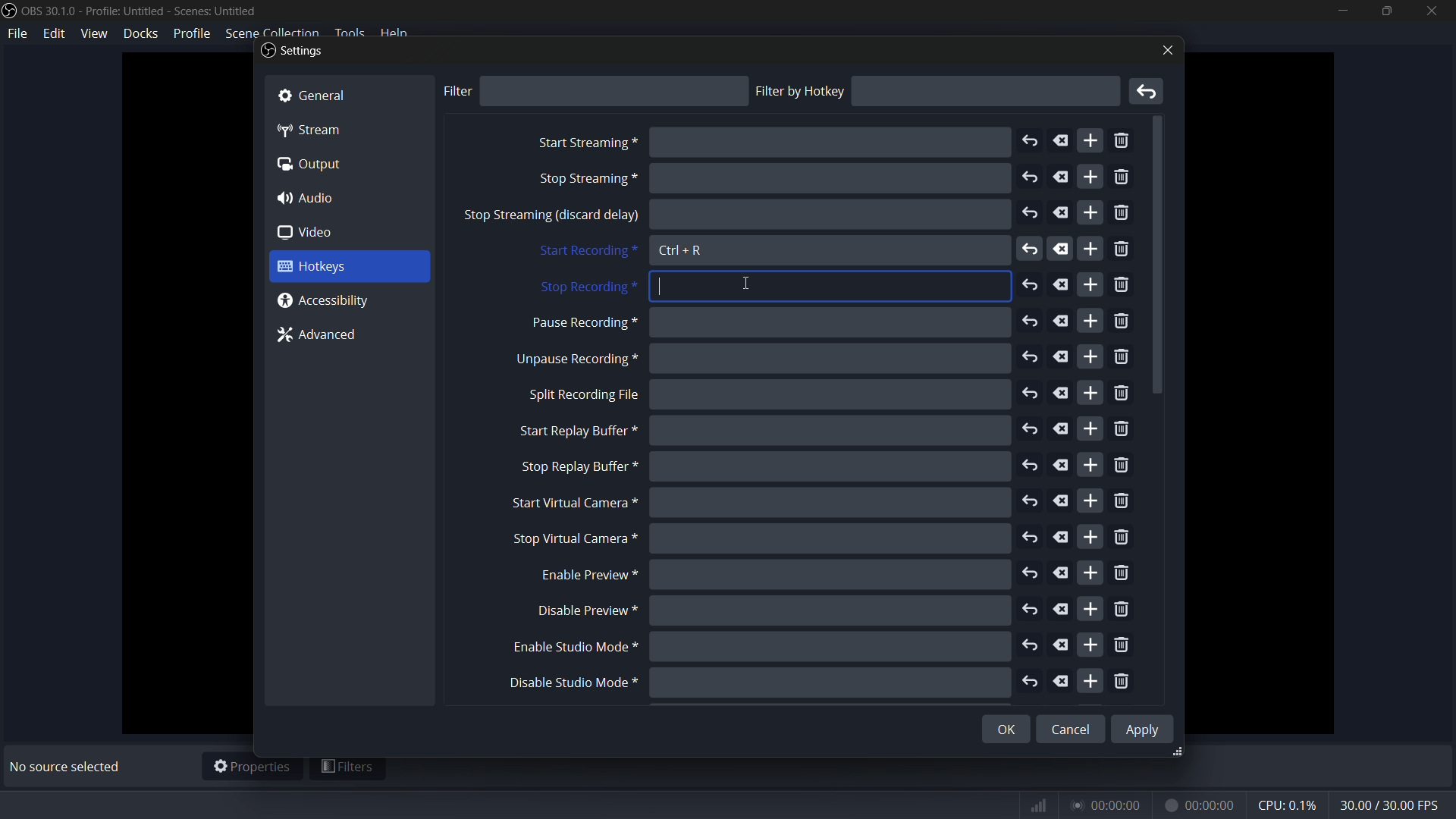  What do you see at coordinates (271, 33) in the screenshot?
I see `scene collection menu` at bounding box center [271, 33].